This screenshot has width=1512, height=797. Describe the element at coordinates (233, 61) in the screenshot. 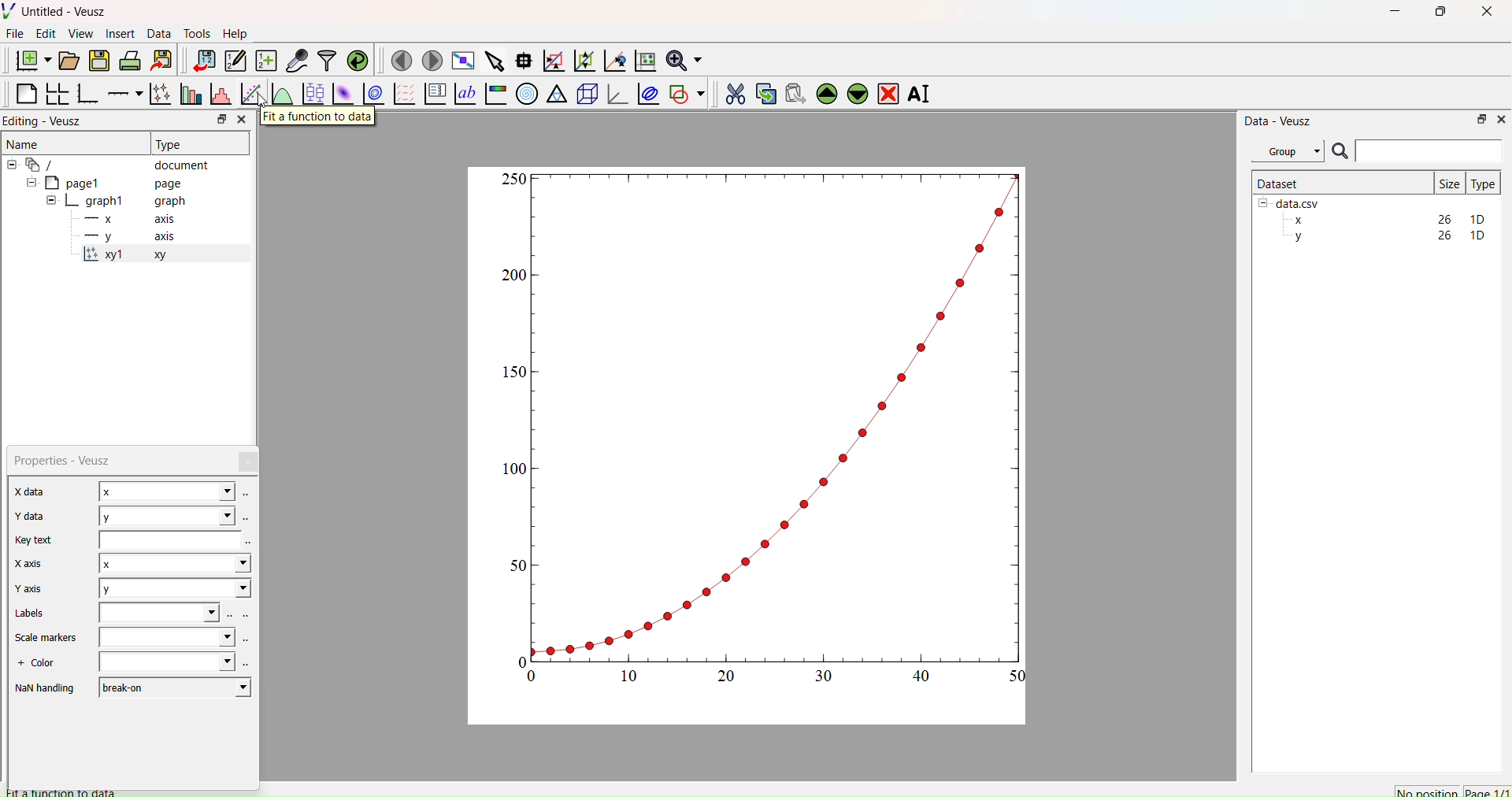

I see `Edit or enter new dataset` at that location.